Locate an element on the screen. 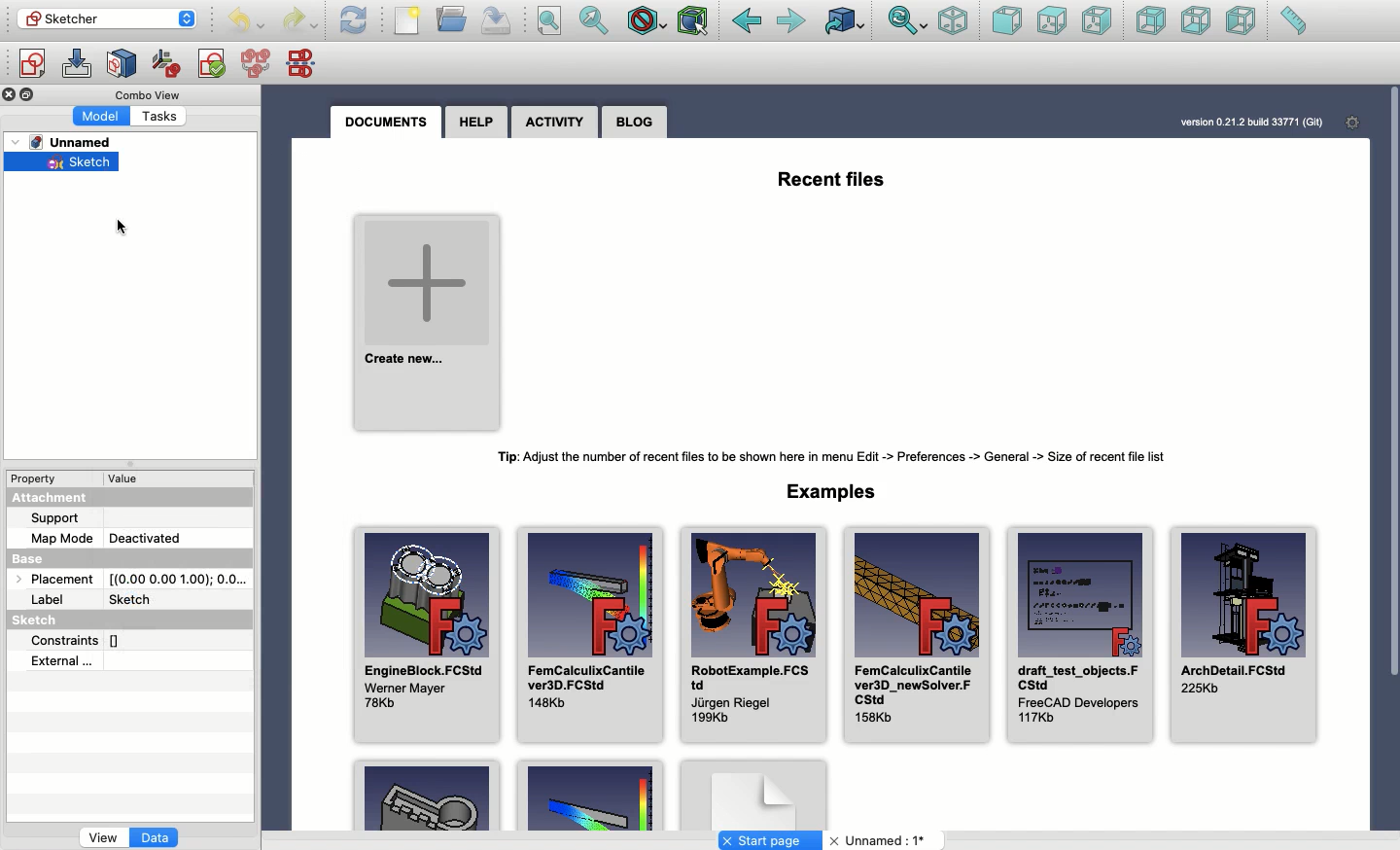 The height and width of the screenshot is (850, 1400). Create sketch  is located at coordinates (31, 66).